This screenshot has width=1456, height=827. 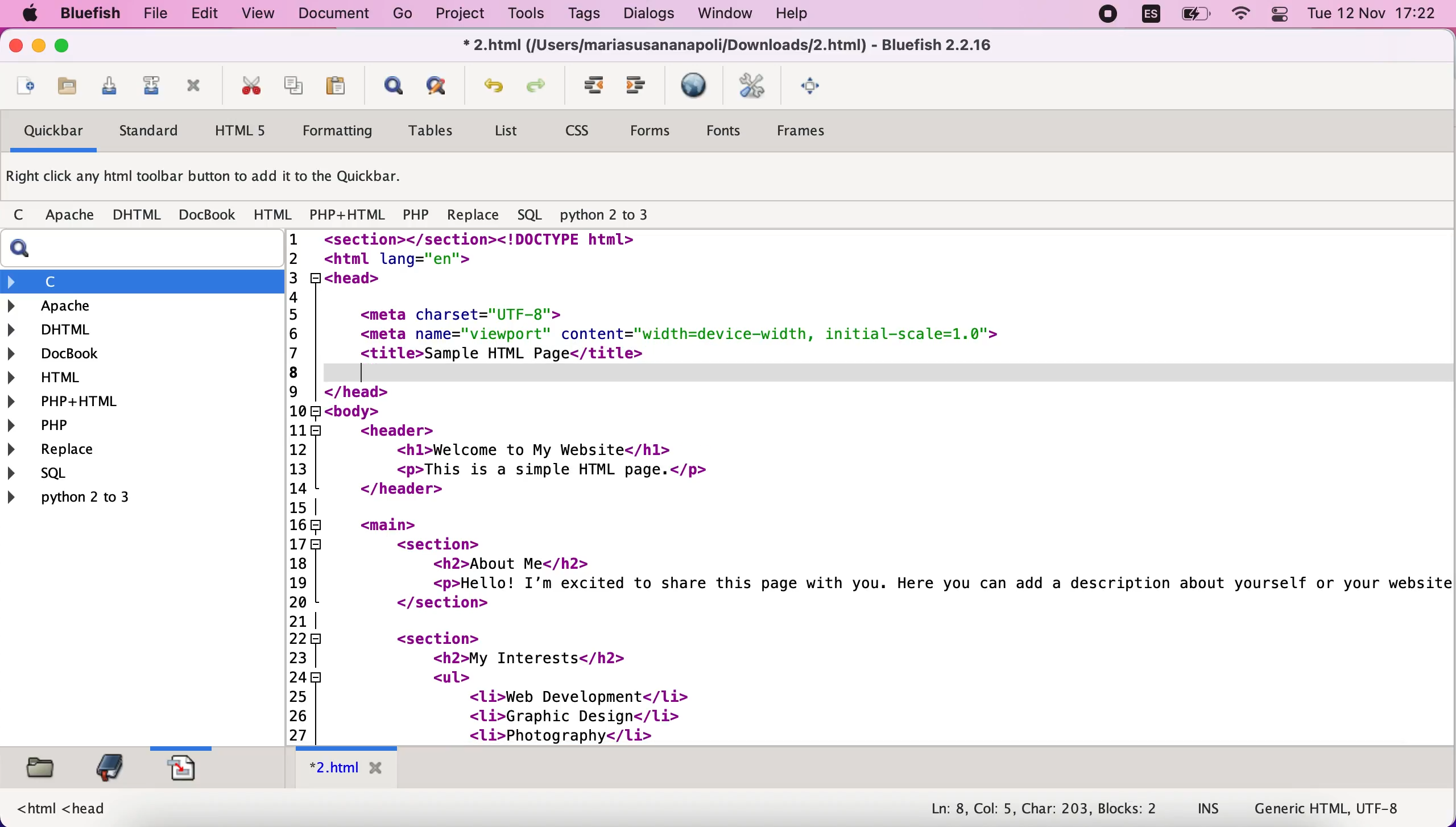 I want to click on php, so click(x=135, y=426).